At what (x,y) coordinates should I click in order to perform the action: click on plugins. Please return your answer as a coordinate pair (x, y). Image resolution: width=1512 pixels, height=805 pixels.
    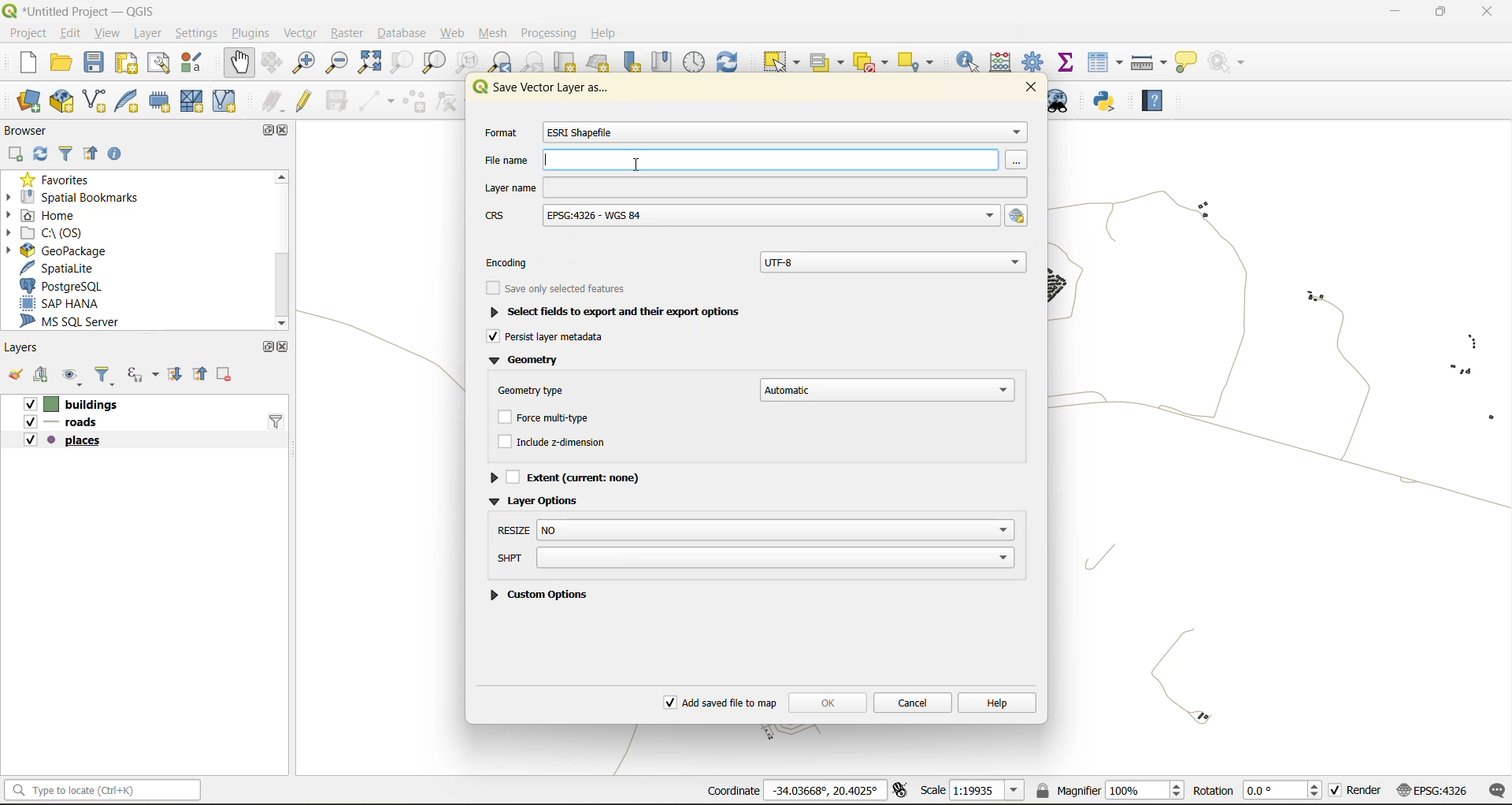
    Looking at the image, I should click on (251, 33).